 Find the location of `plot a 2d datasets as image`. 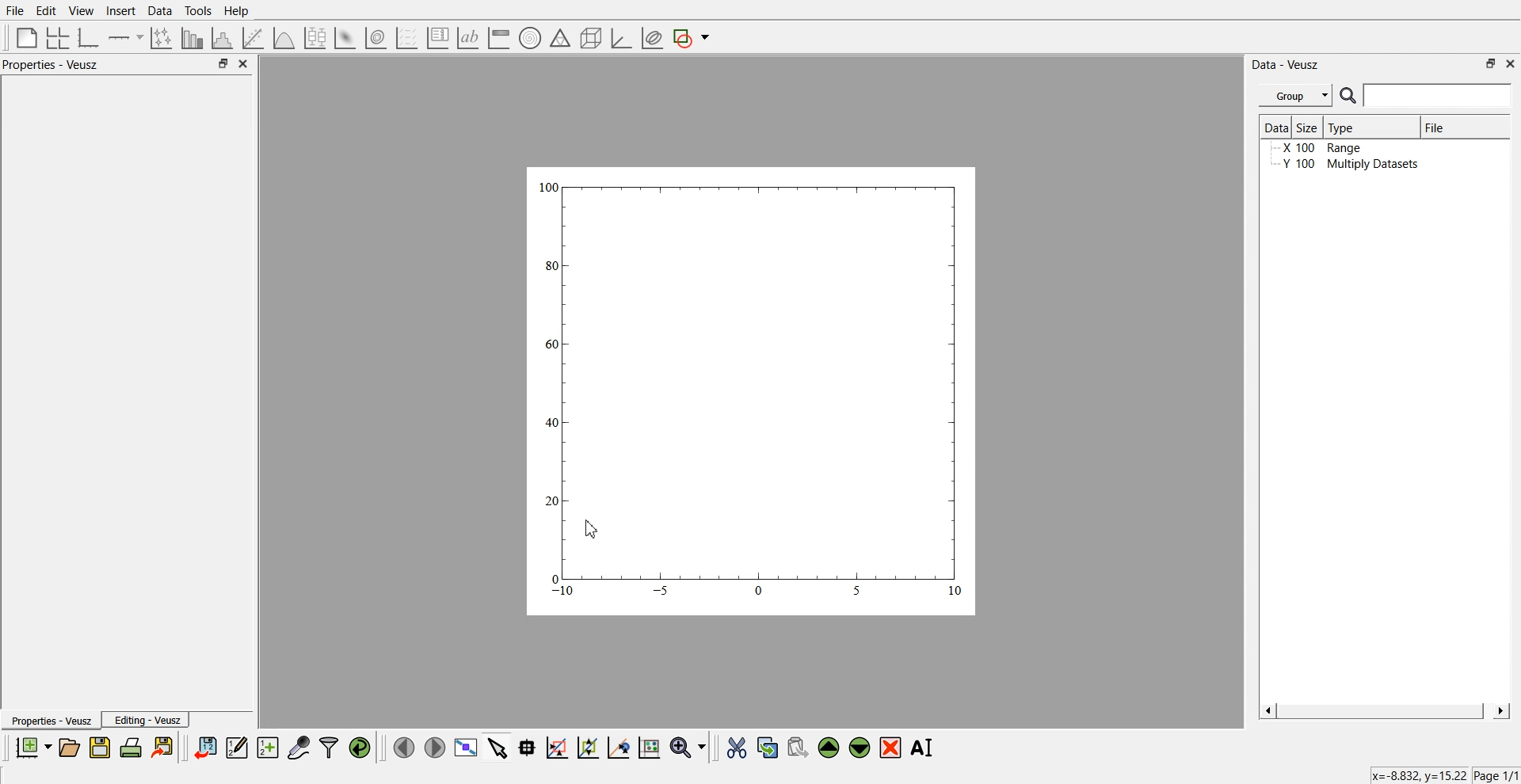

plot a 2d datasets as image is located at coordinates (344, 37).